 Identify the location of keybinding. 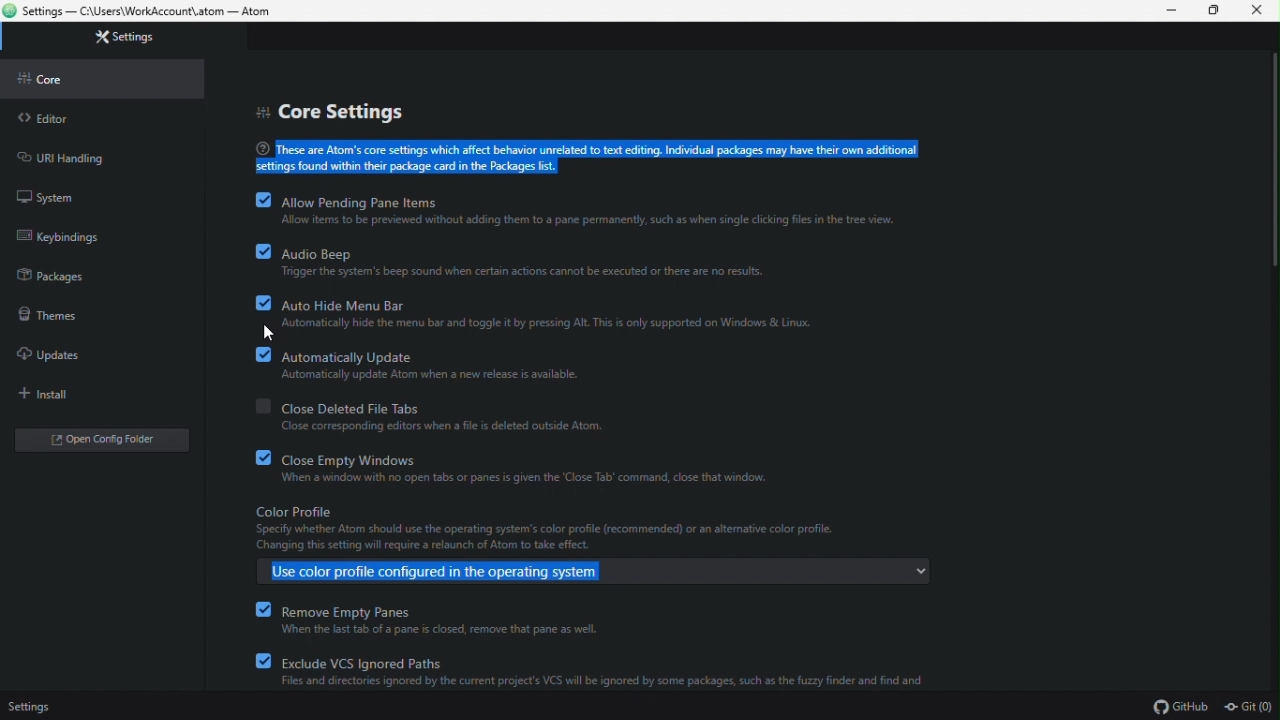
(57, 236).